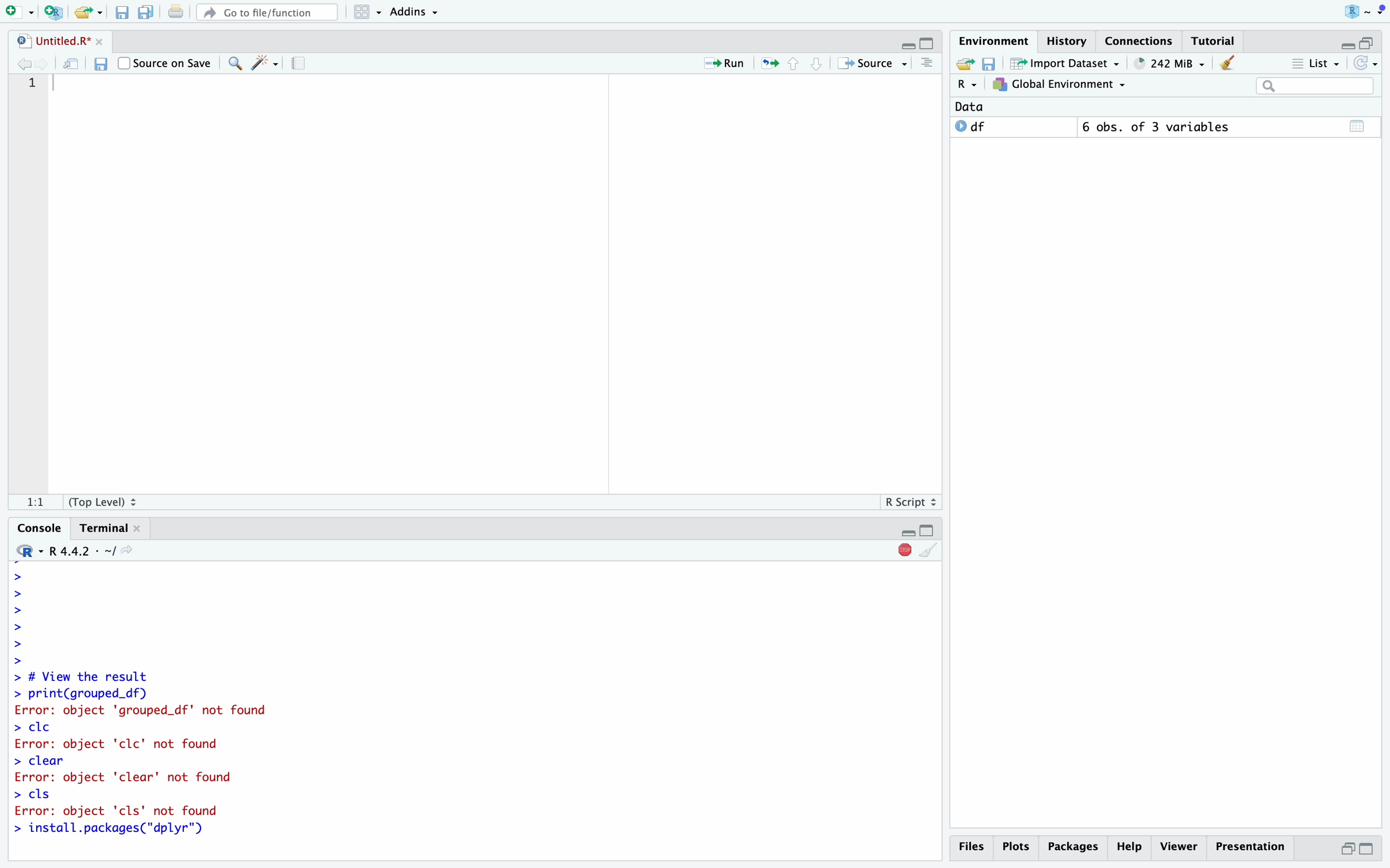 This screenshot has height=868, width=1390. I want to click on Source, so click(872, 63).